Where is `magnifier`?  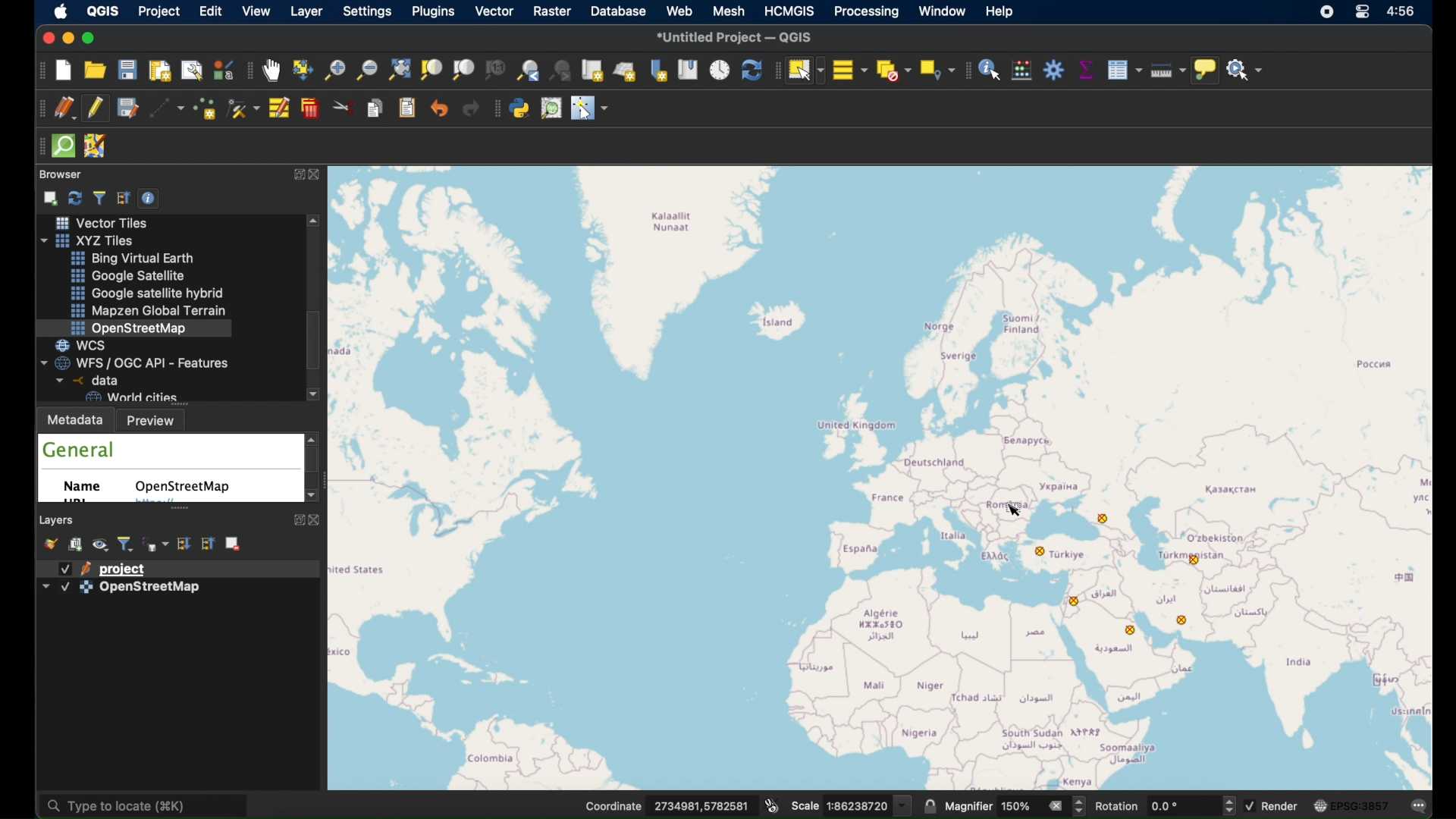 magnifier is located at coordinates (968, 806).